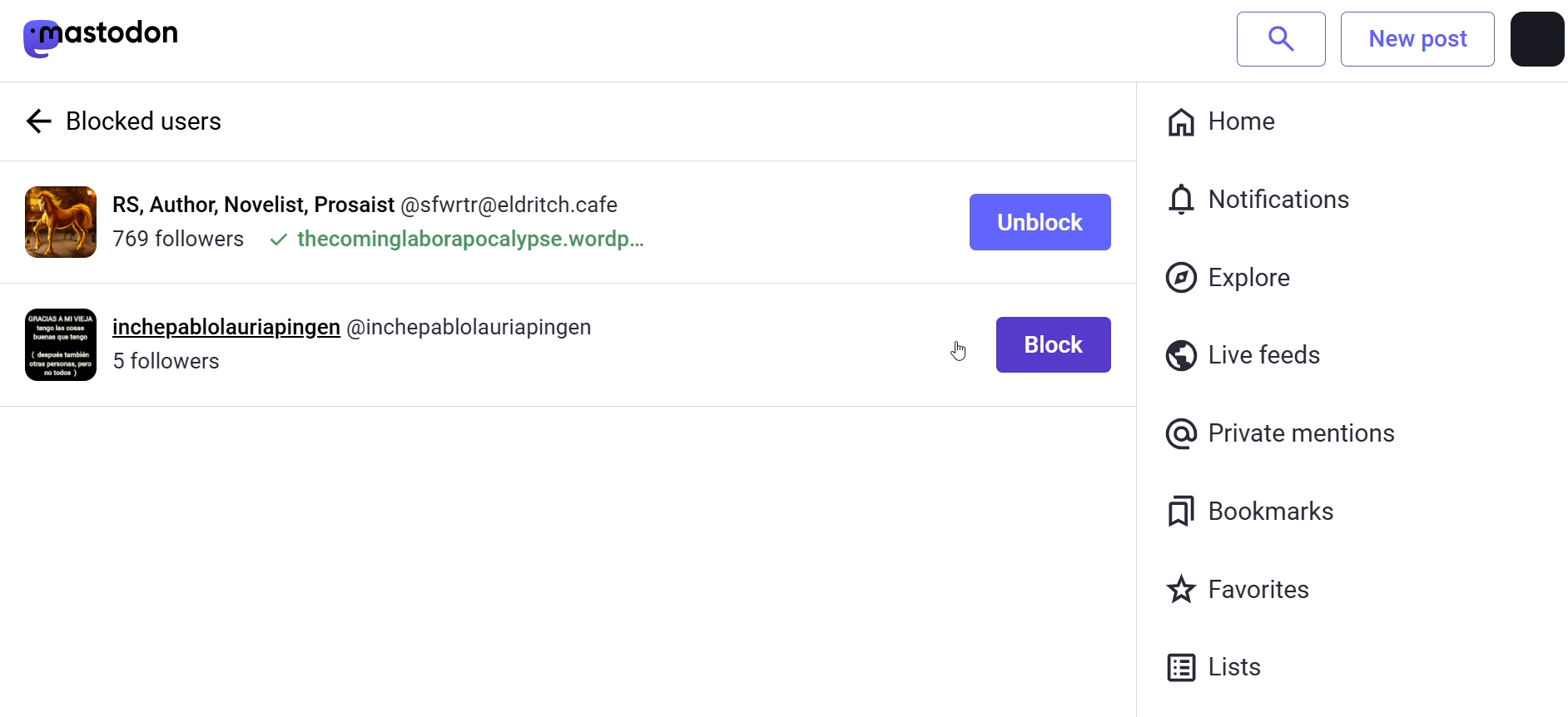 The height and width of the screenshot is (717, 1568). What do you see at coordinates (1283, 435) in the screenshot?
I see `private mentions` at bounding box center [1283, 435].